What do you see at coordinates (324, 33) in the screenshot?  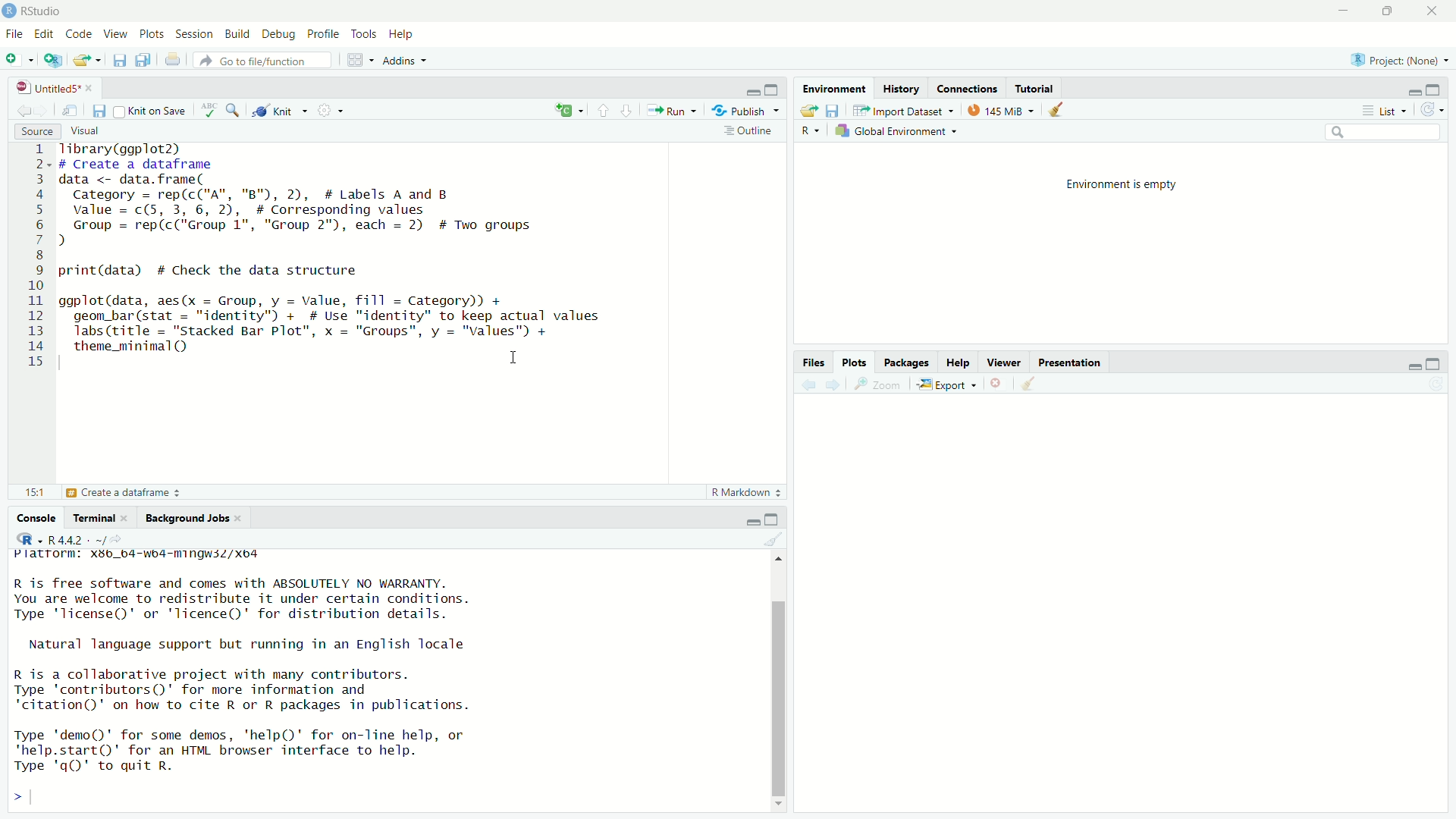 I see `Profile` at bounding box center [324, 33].